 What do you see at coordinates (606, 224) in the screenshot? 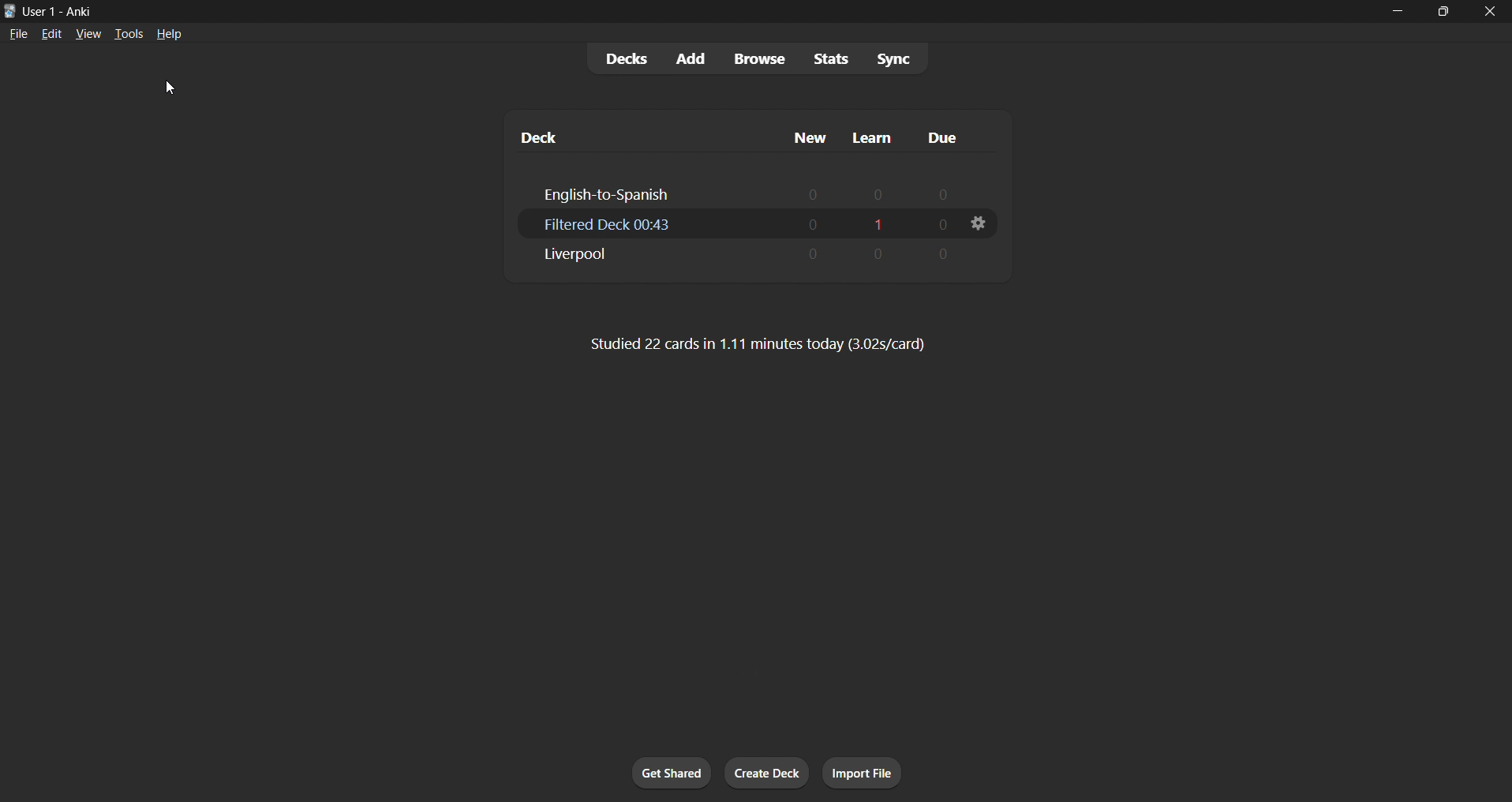
I see `filtered deck` at bounding box center [606, 224].